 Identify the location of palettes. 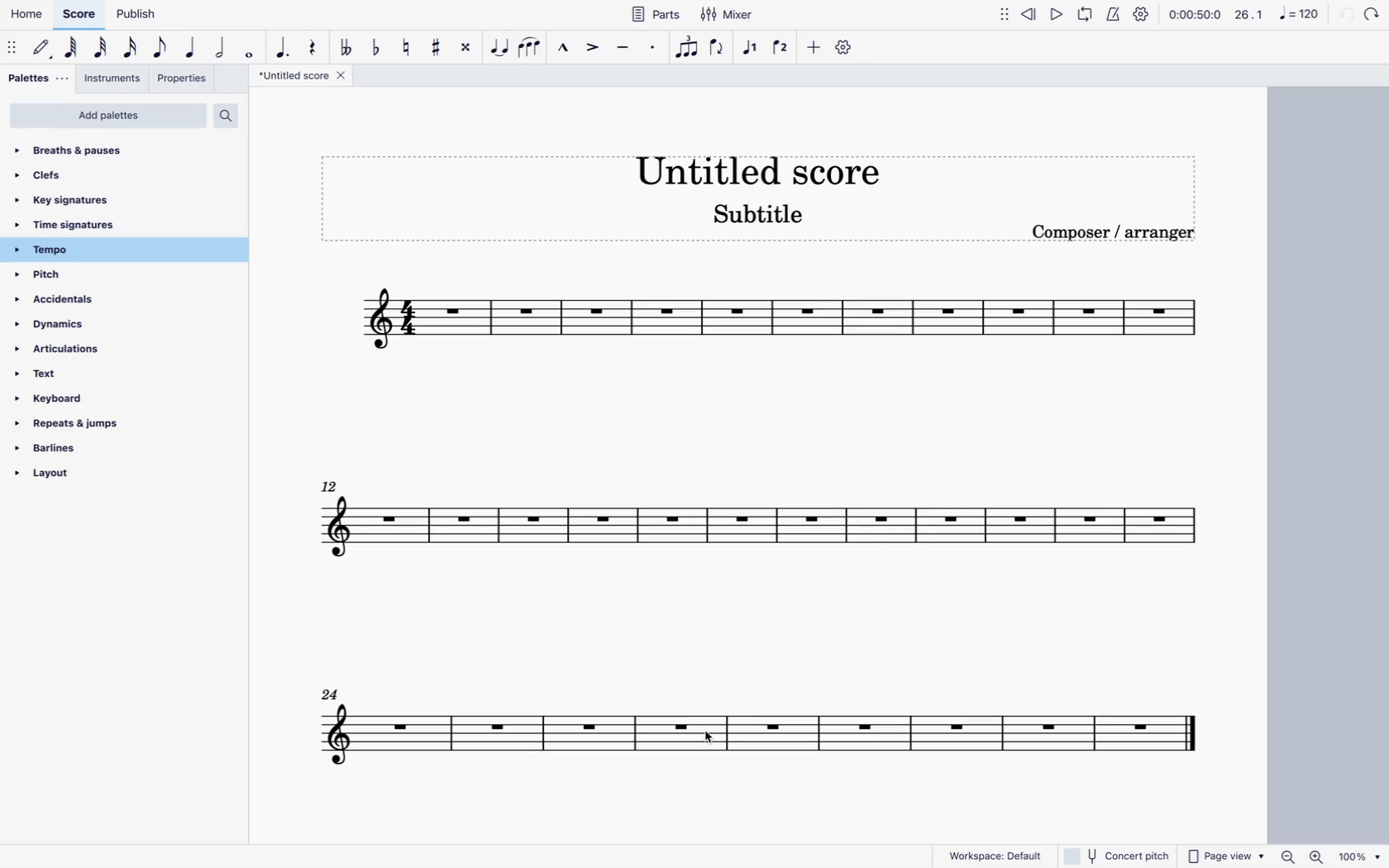
(36, 78).